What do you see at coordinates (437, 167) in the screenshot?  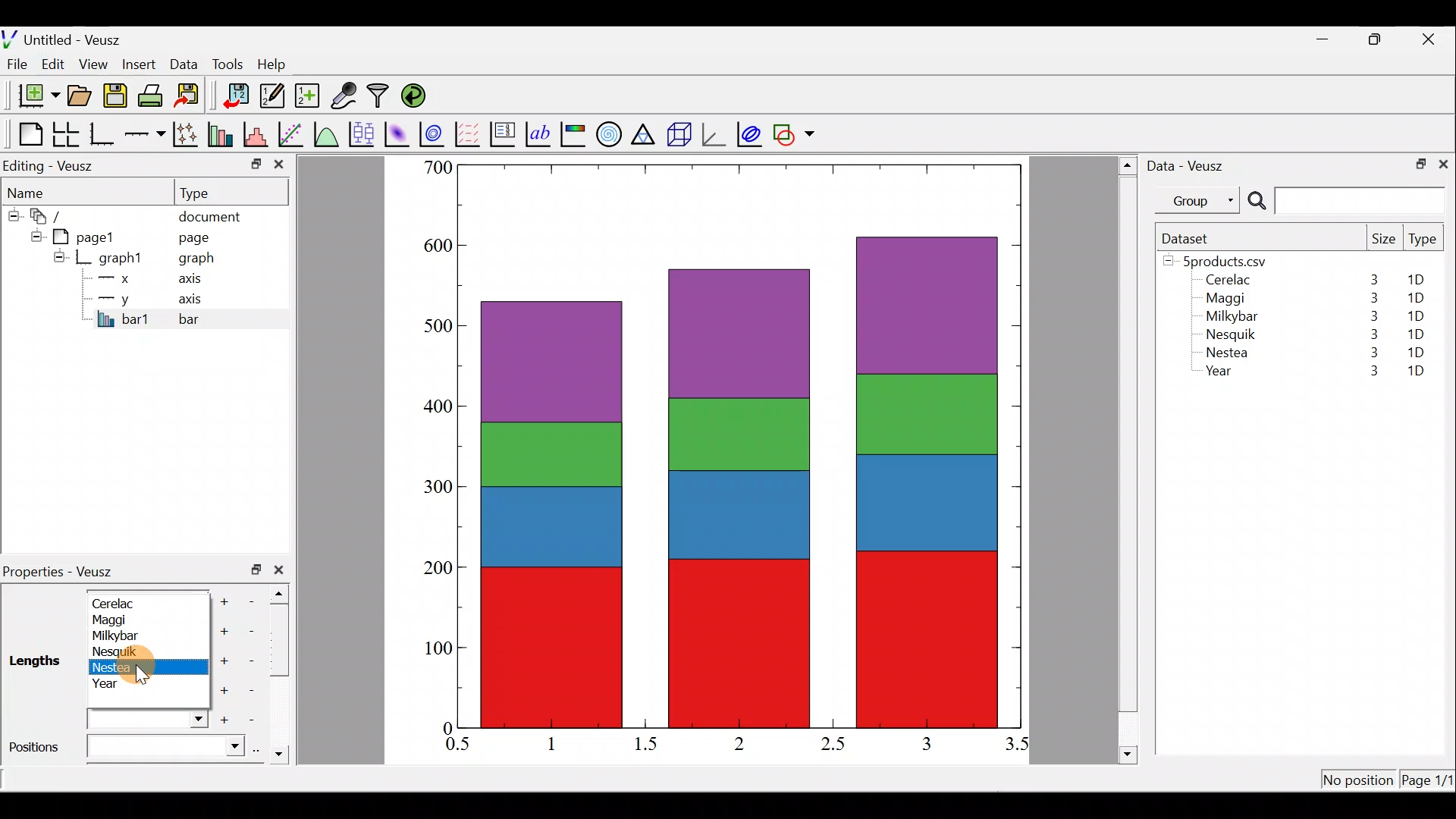 I see `500` at bounding box center [437, 167].